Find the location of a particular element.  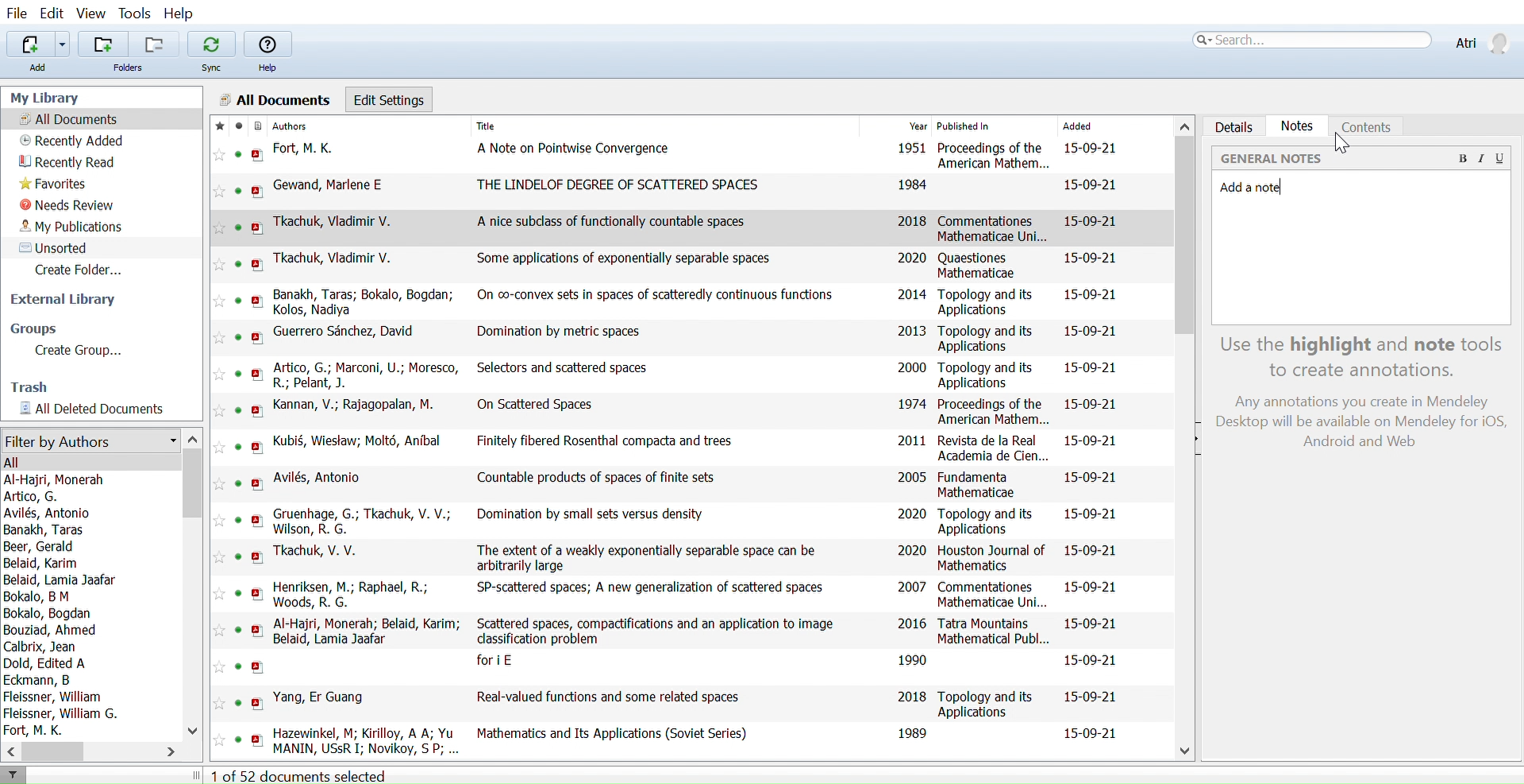

1984 is located at coordinates (913, 184).